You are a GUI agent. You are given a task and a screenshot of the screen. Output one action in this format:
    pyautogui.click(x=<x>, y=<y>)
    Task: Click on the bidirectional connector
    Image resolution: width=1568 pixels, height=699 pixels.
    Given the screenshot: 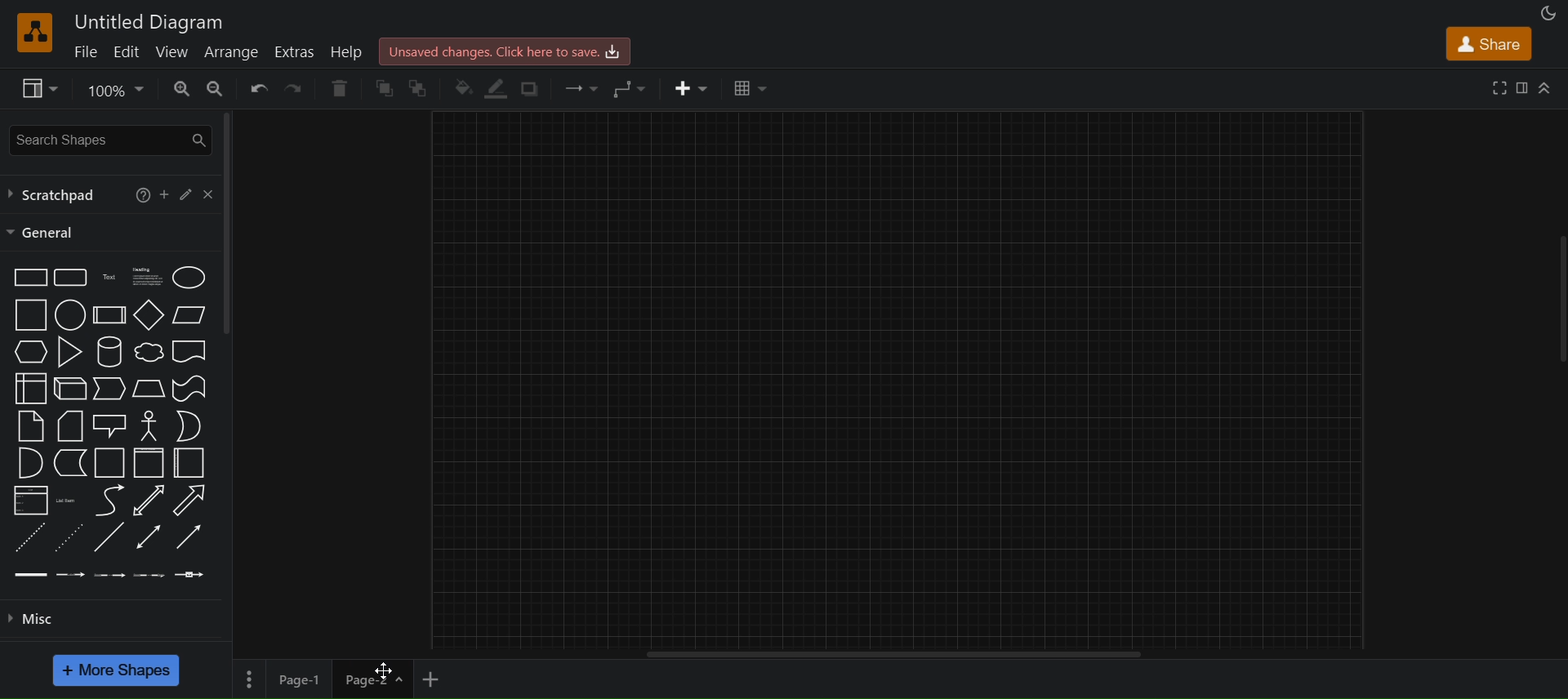 What is the action you would take?
    pyautogui.click(x=149, y=536)
    